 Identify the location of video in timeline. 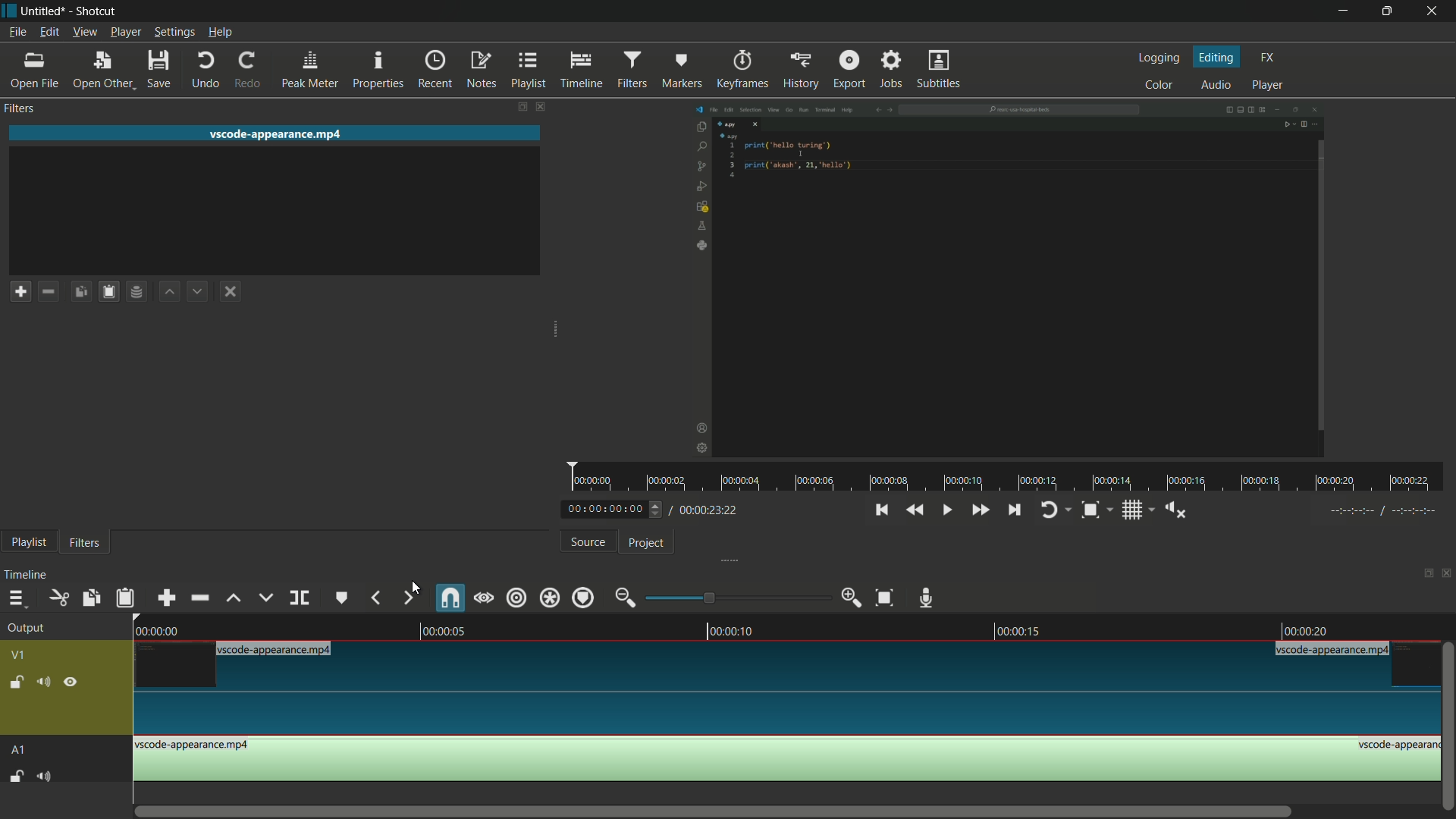
(789, 698).